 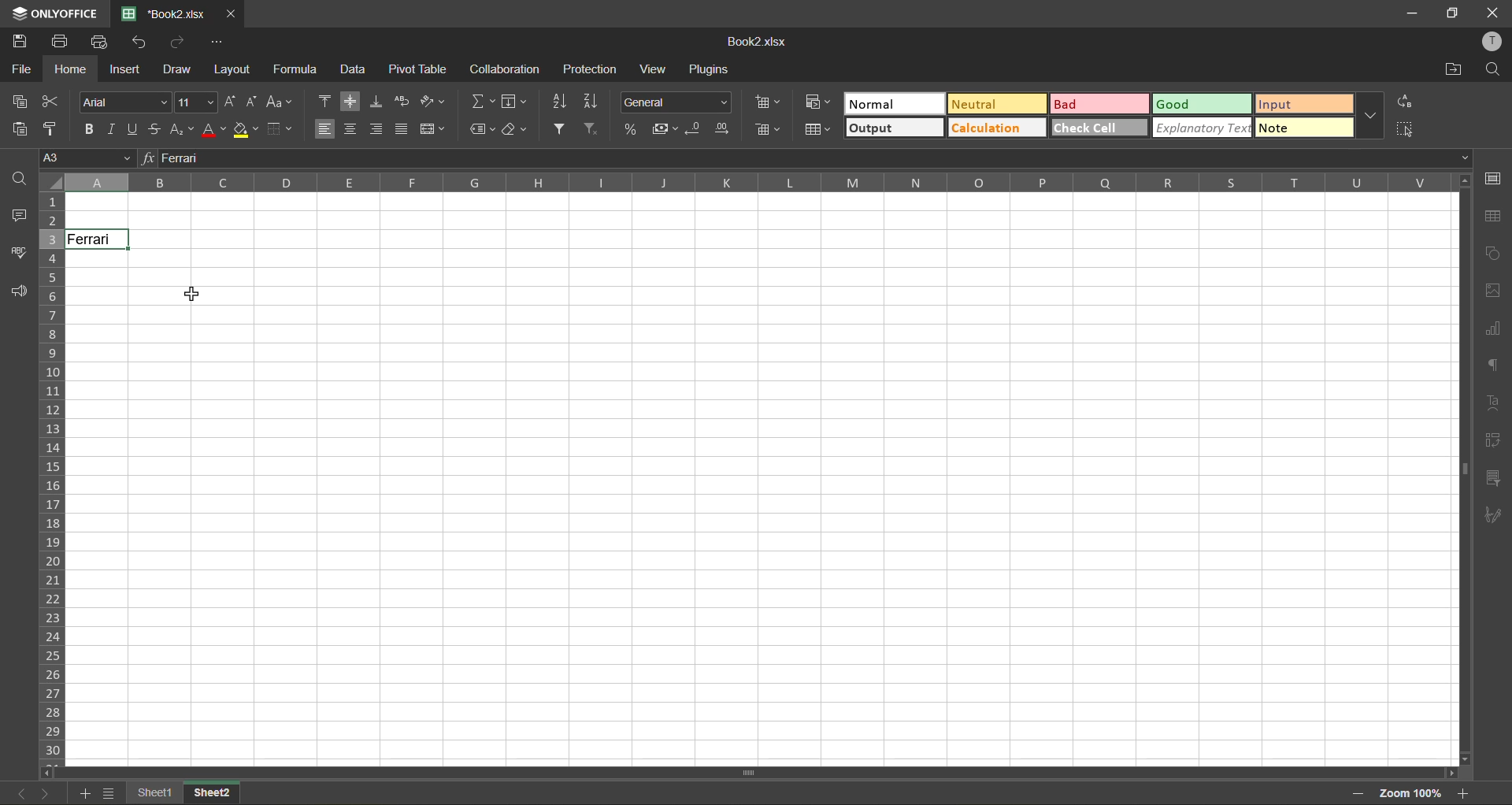 I want to click on cell setting, so click(x=1495, y=180).